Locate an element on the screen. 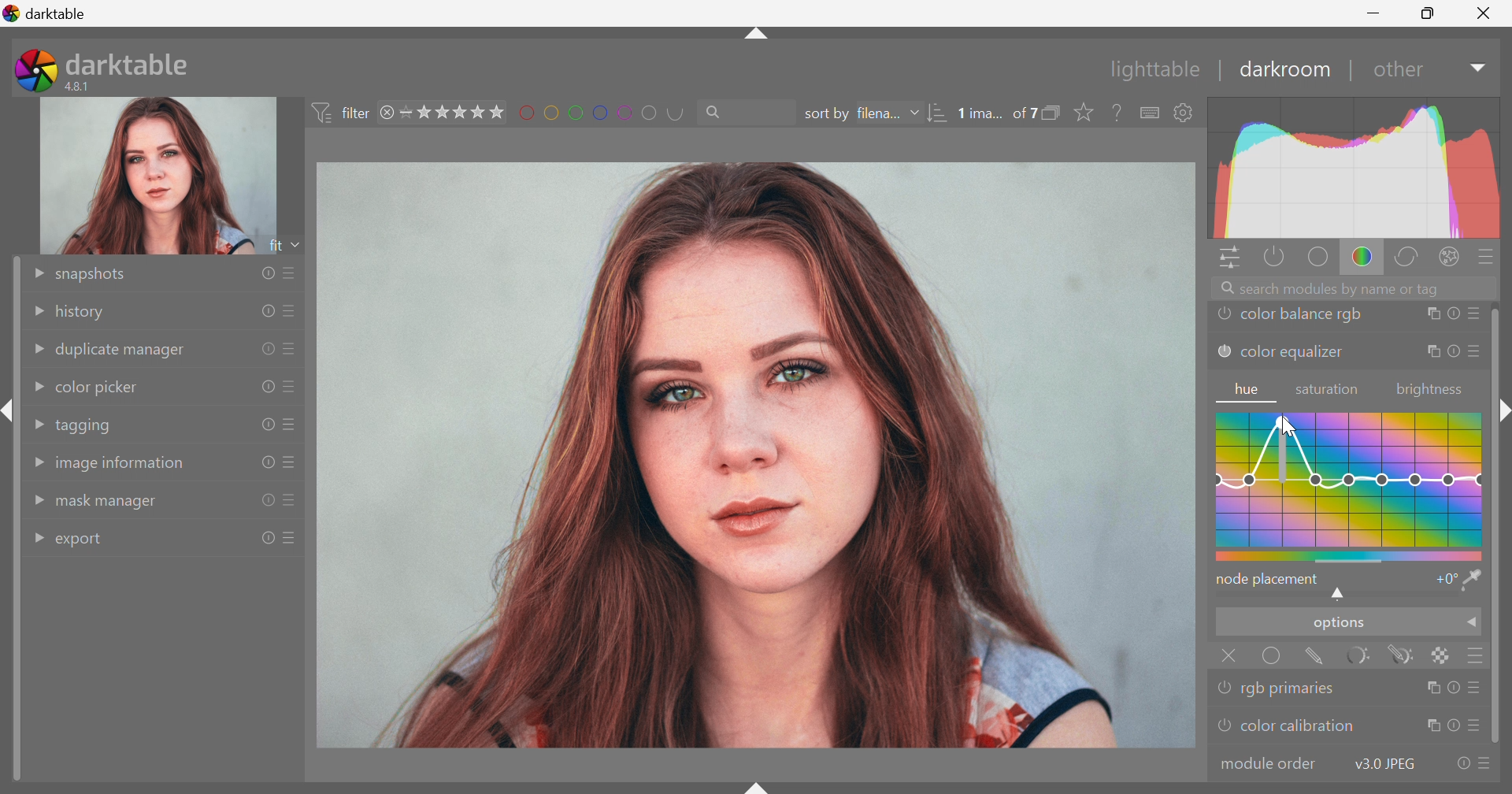 This screenshot has width=1512, height=794. Drop Down is located at coordinates (36, 309).